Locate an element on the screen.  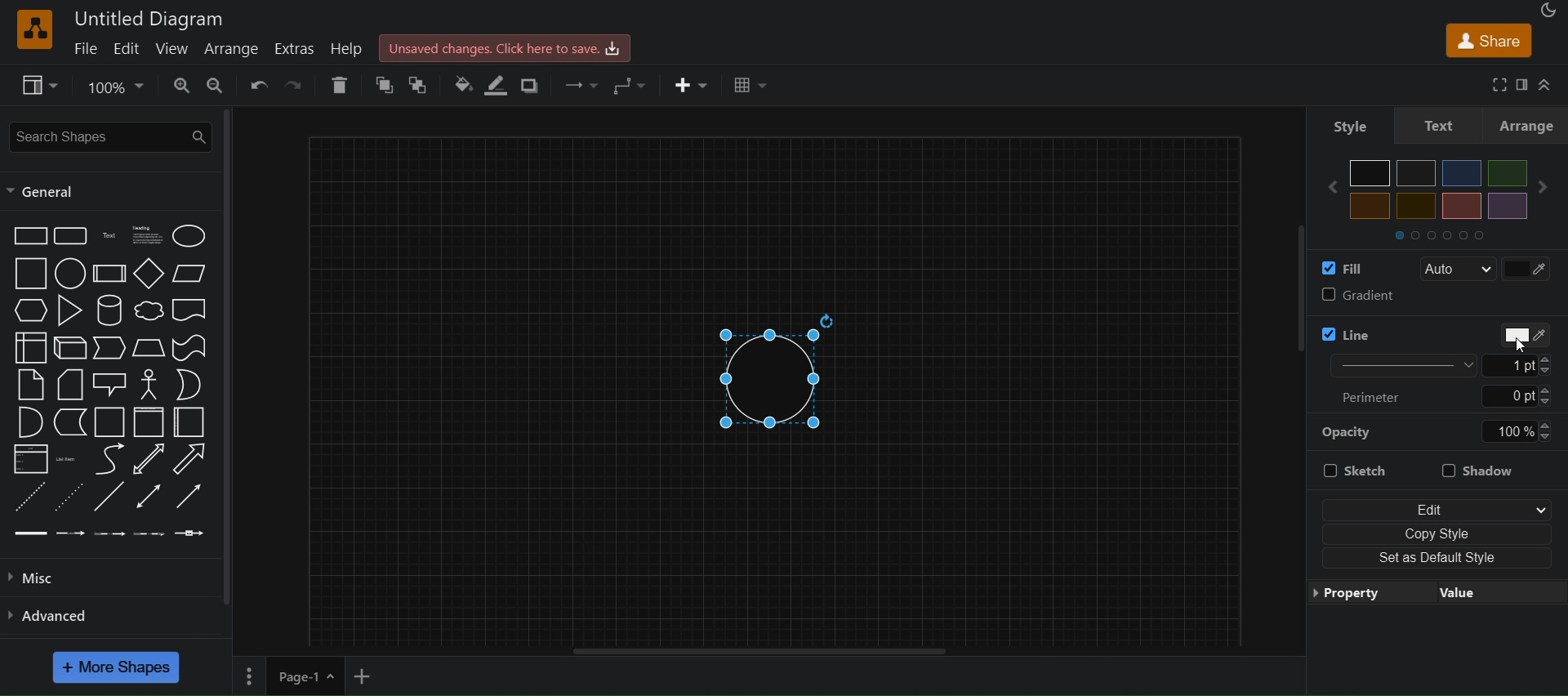
opacity is located at coordinates (1348, 431).